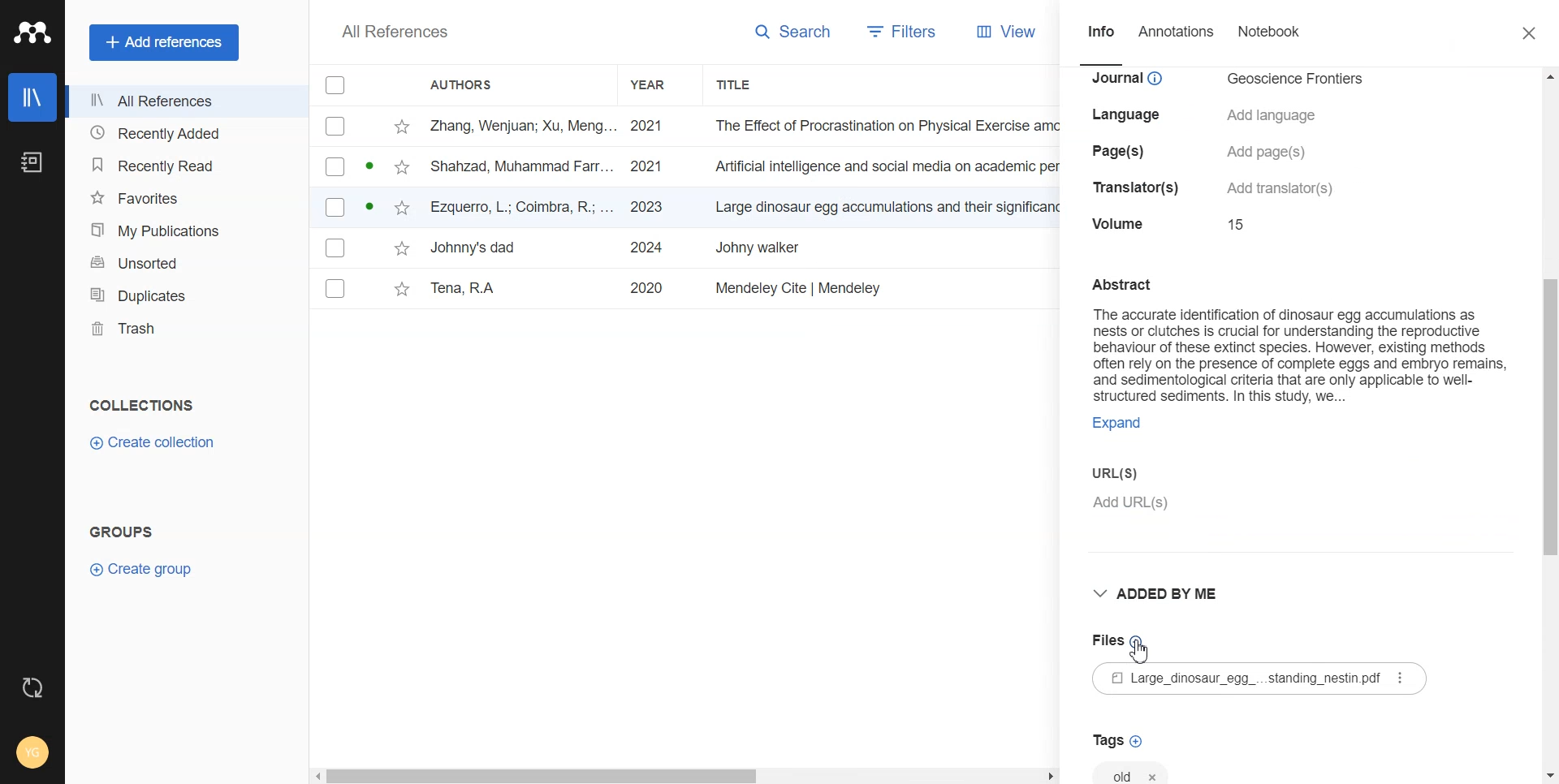  What do you see at coordinates (1120, 152) in the screenshot?
I see `details` at bounding box center [1120, 152].